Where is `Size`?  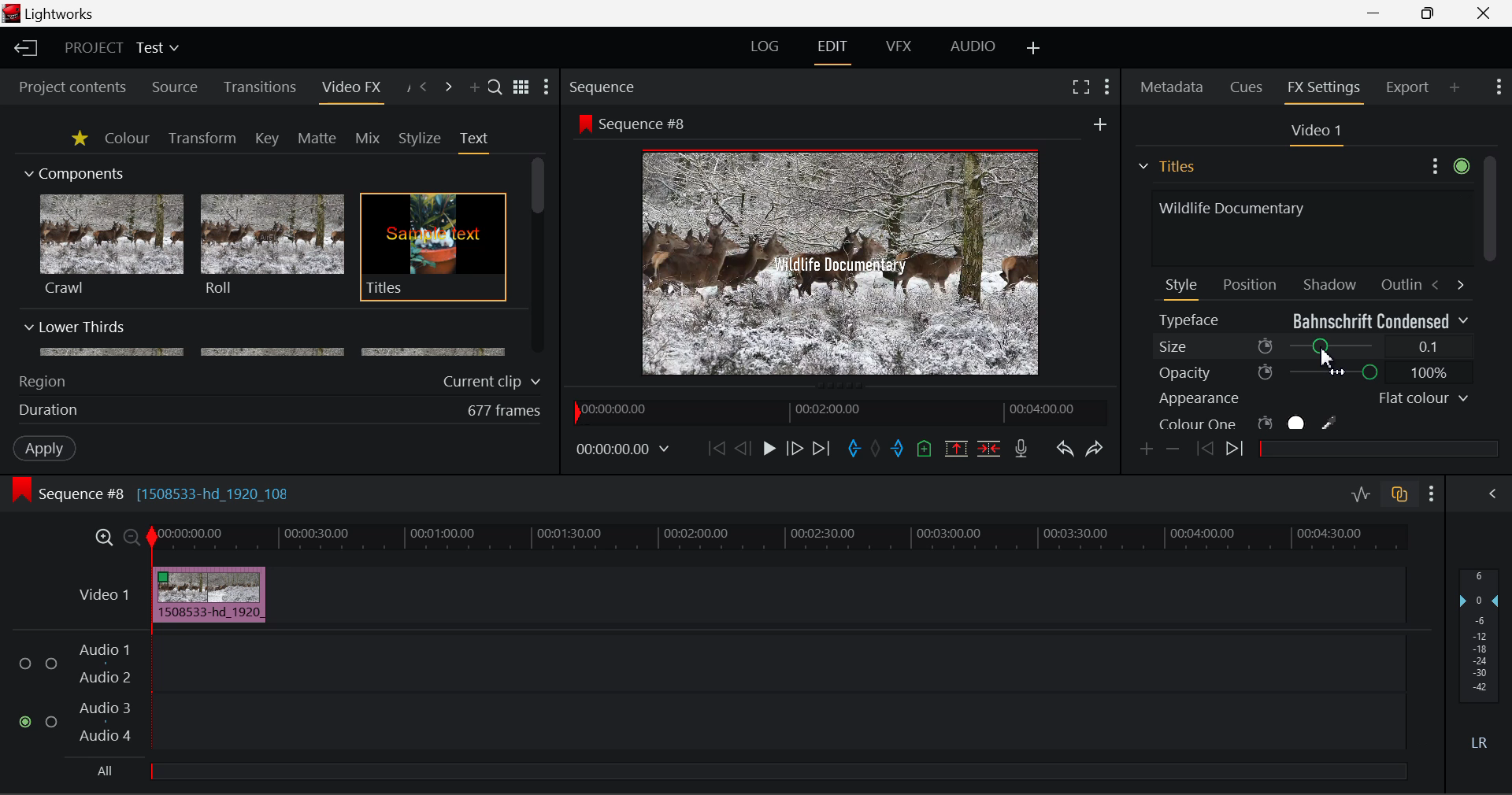 Size is located at coordinates (1314, 346).